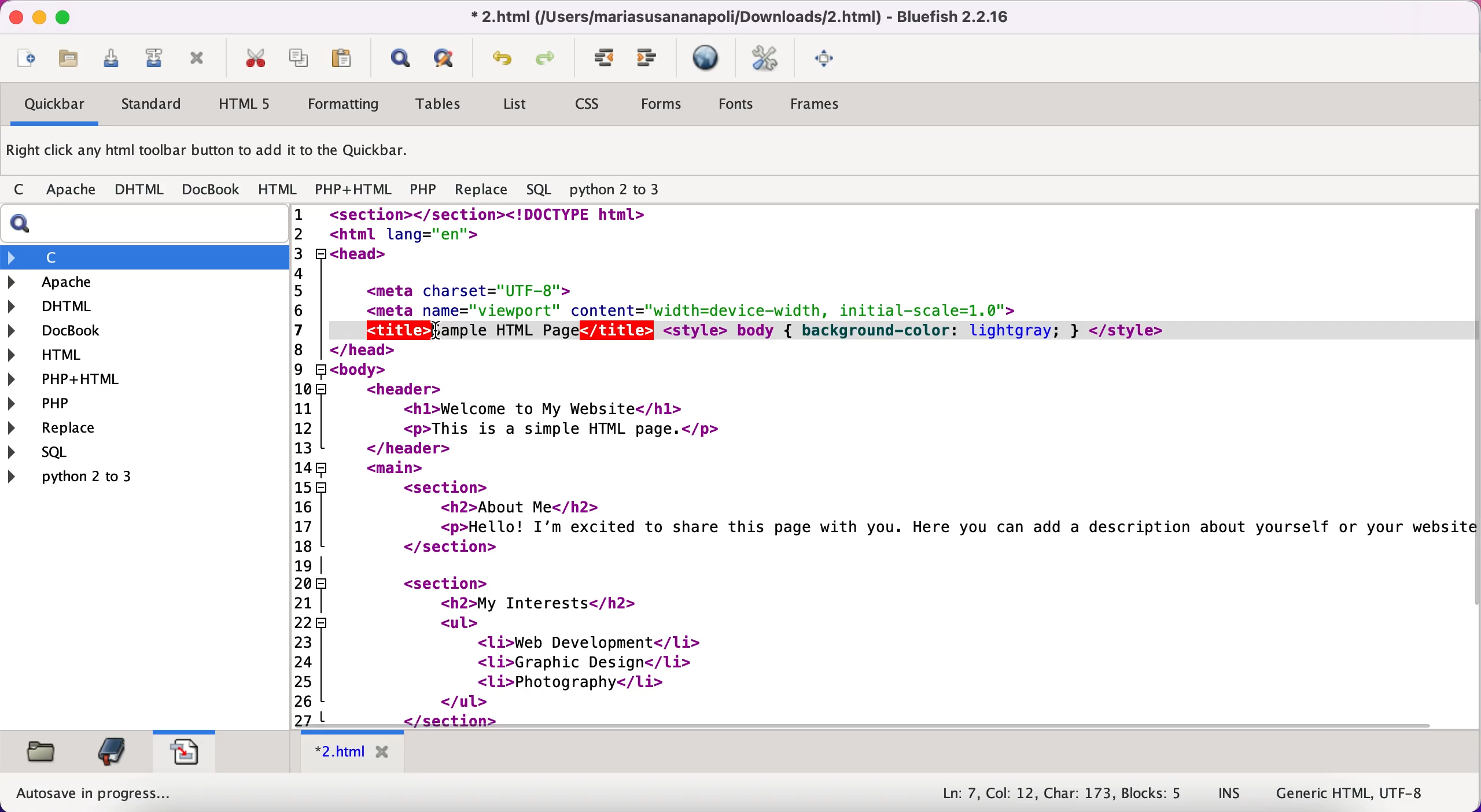 The width and height of the screenshot is (1481, 812). Describe the element at coordinates (142, 224) in the screenshot. I see `search bar` at that location.